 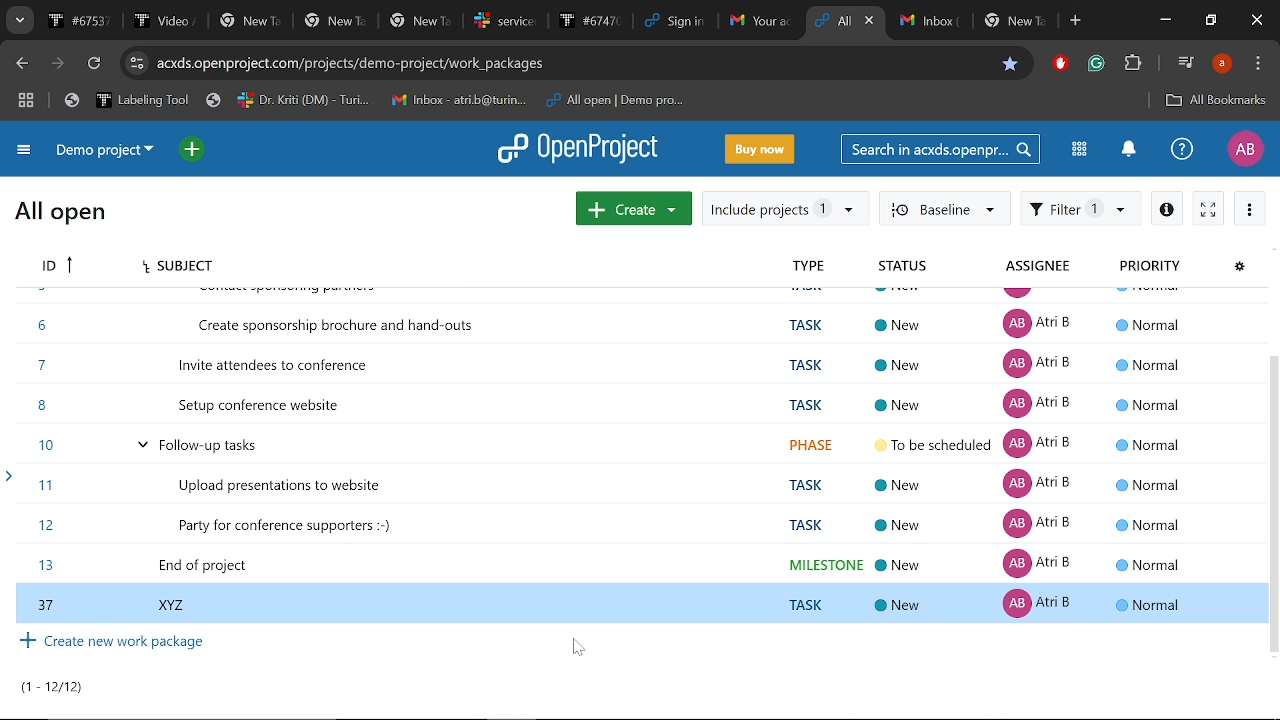 What do you see at coordinates (1257, 64) in the screenshot?
I see `Customize and control chrome` at bounding box center [1257, 64].